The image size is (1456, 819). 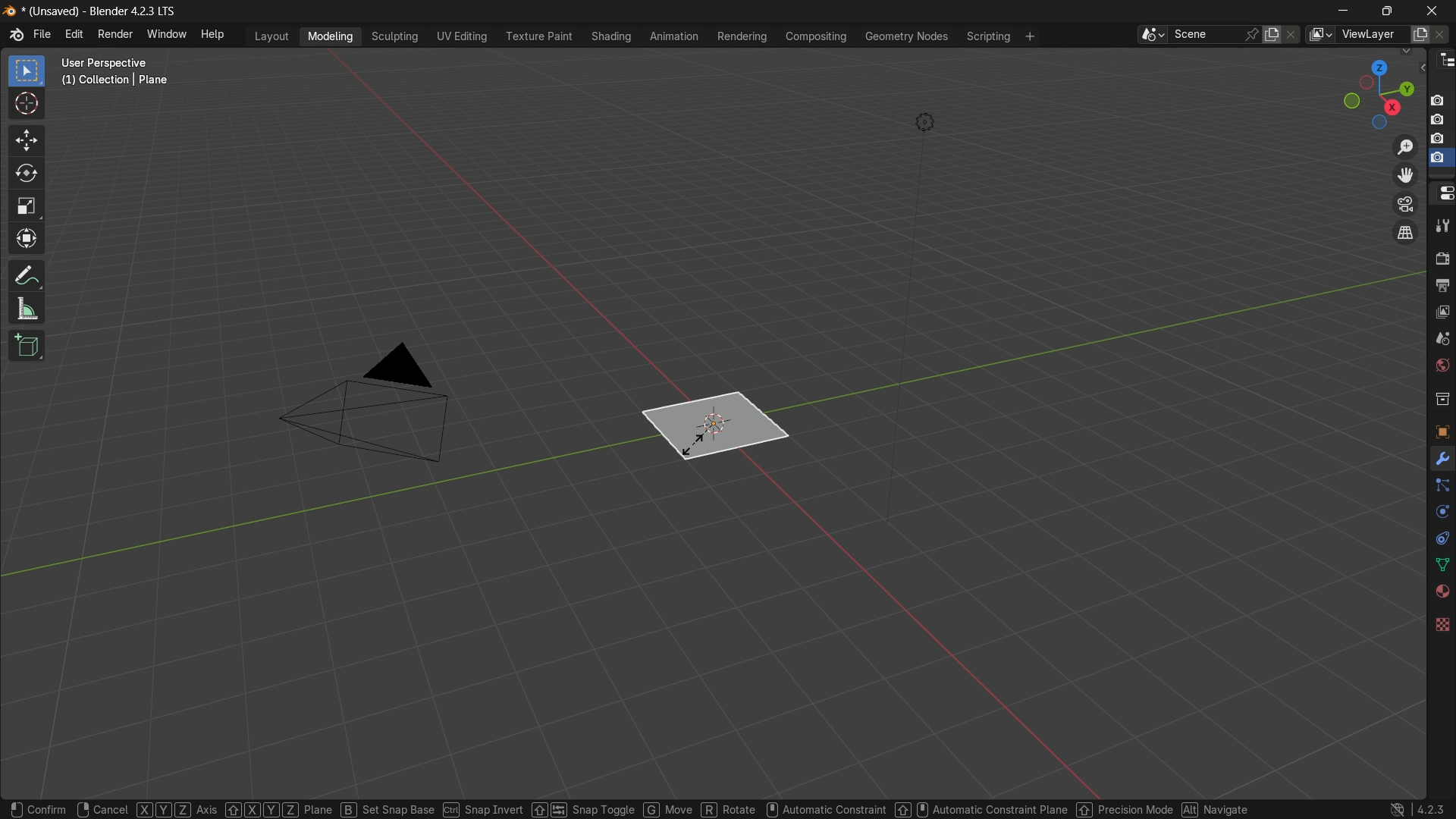 I want to click on select box, so click(x=27, y=71).